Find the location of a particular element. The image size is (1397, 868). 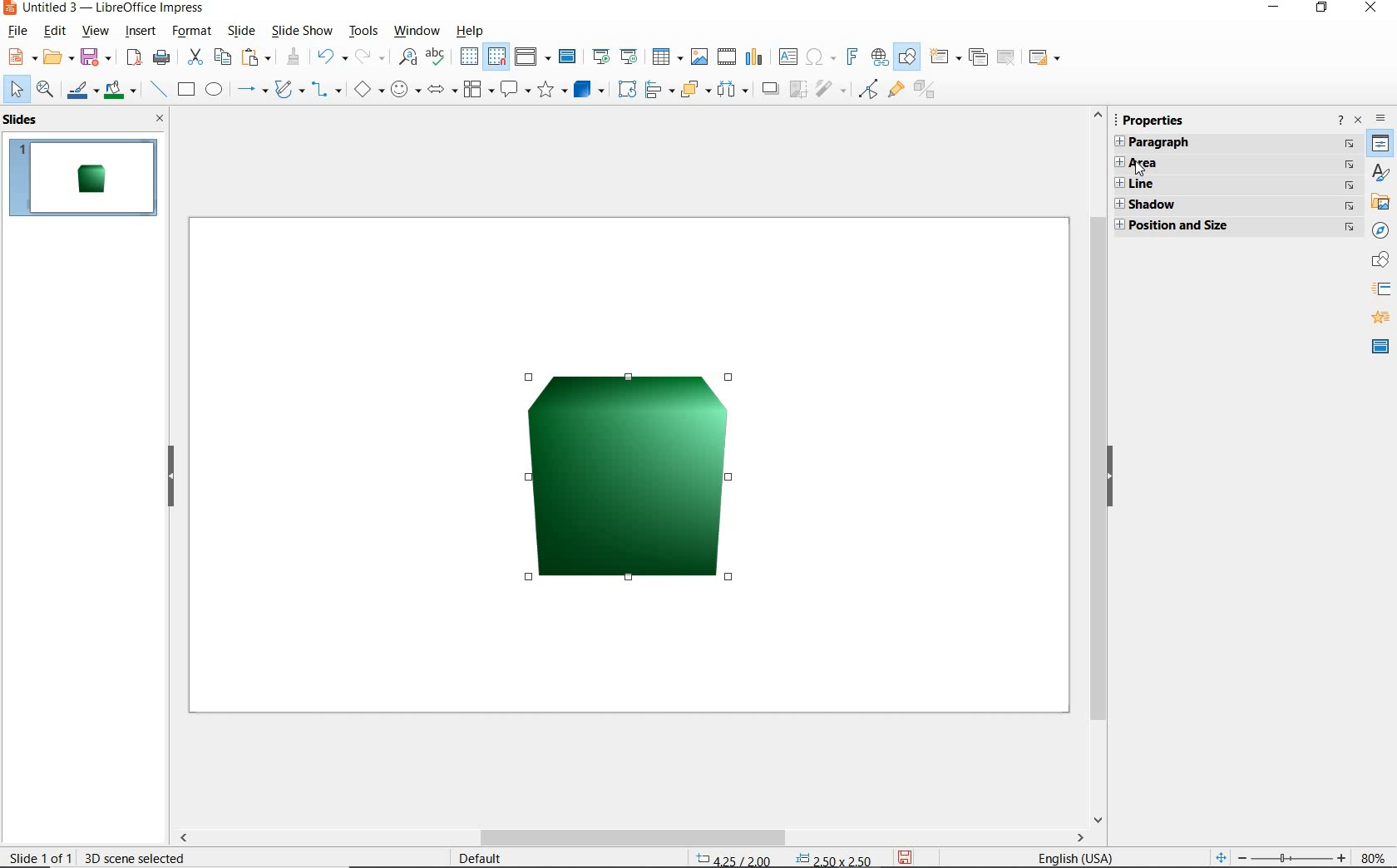

GALLERY is located at coordinates (1380, 204).